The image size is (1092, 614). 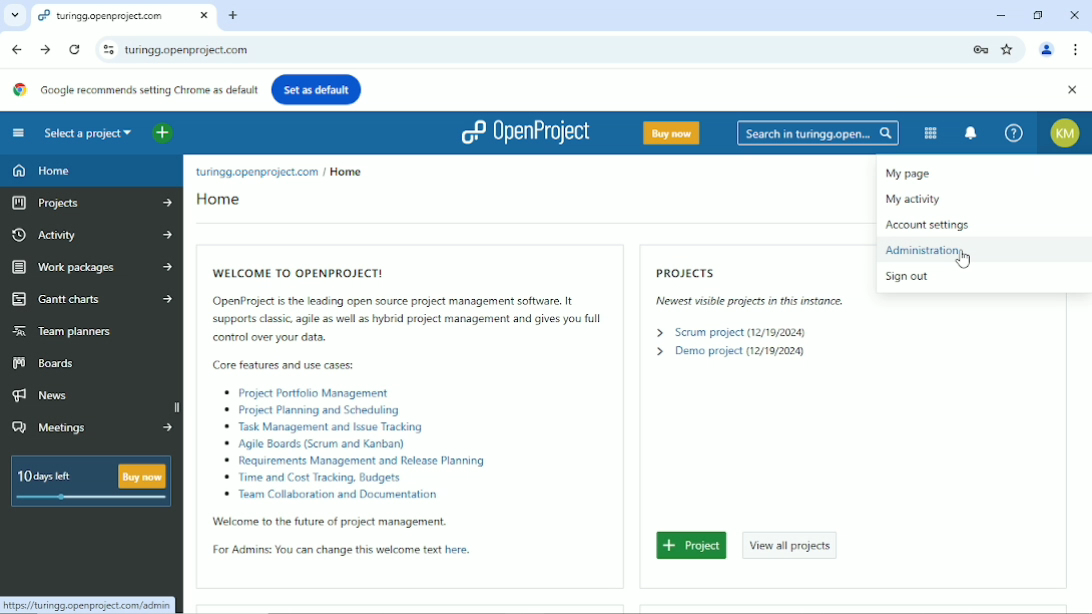 I want to click on Meetings, so click(x=95, y=429).